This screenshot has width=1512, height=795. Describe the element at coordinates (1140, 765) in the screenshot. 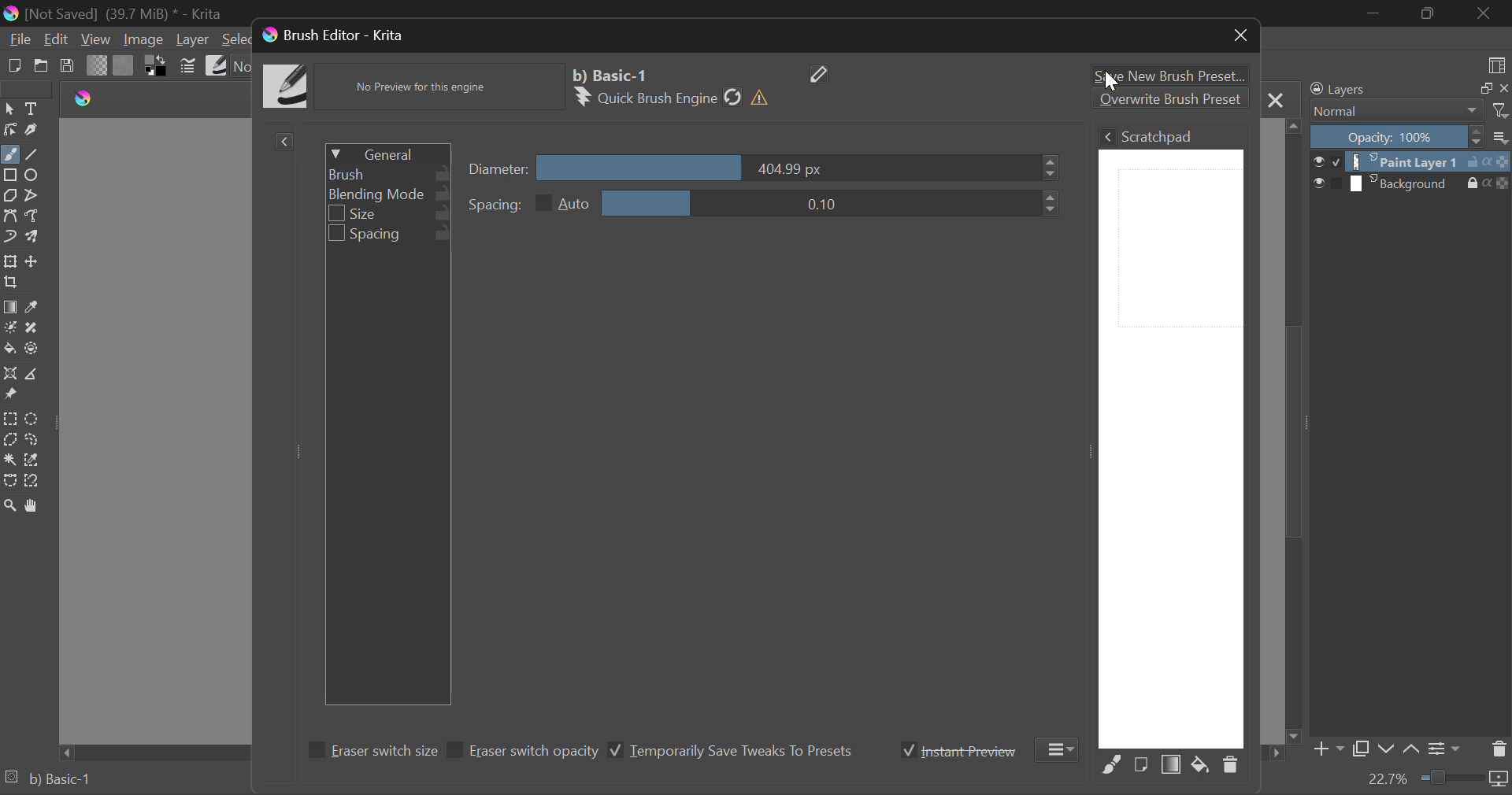

I see `Fill area with current Image` at that location.